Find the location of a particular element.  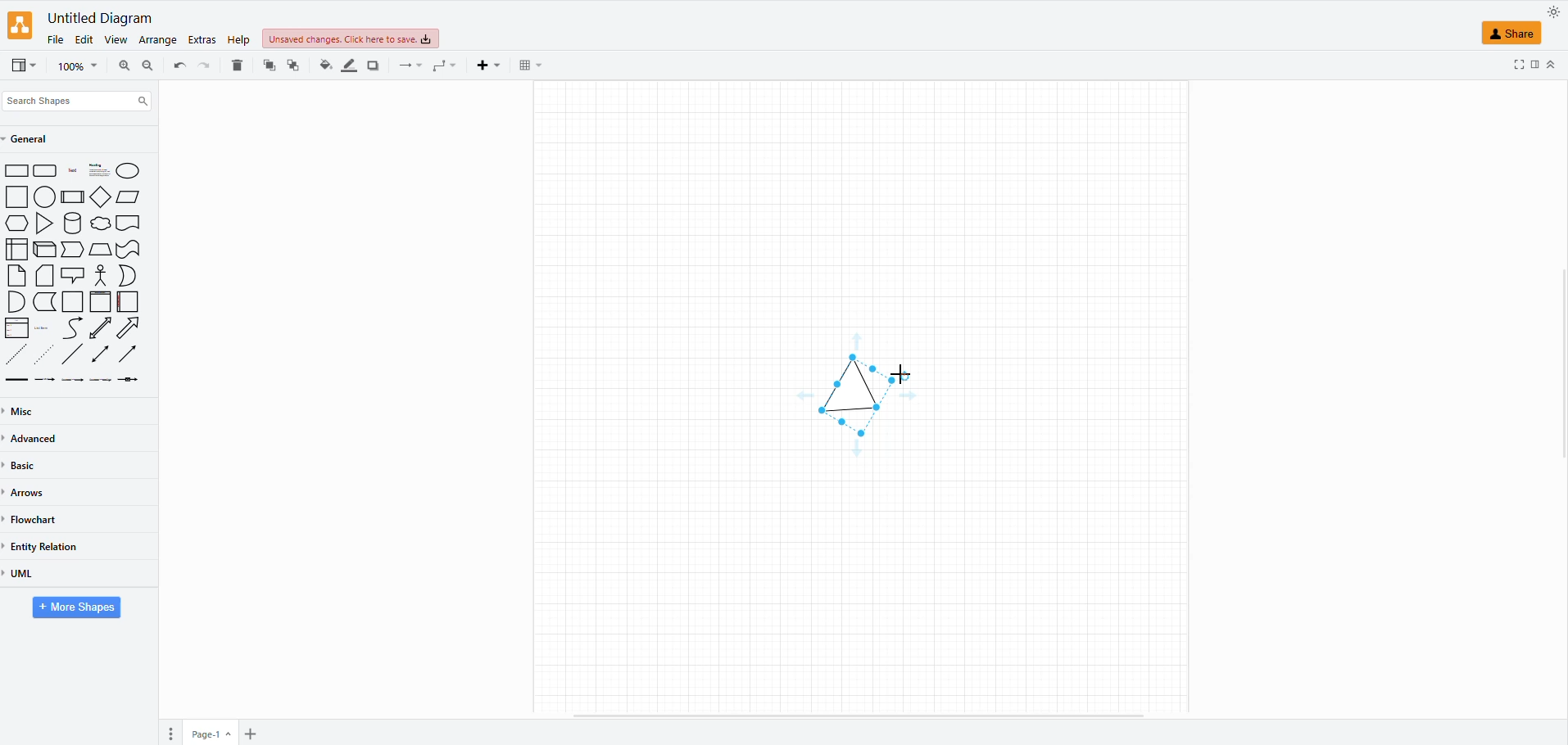

Line is located at coordinates (74, 354).